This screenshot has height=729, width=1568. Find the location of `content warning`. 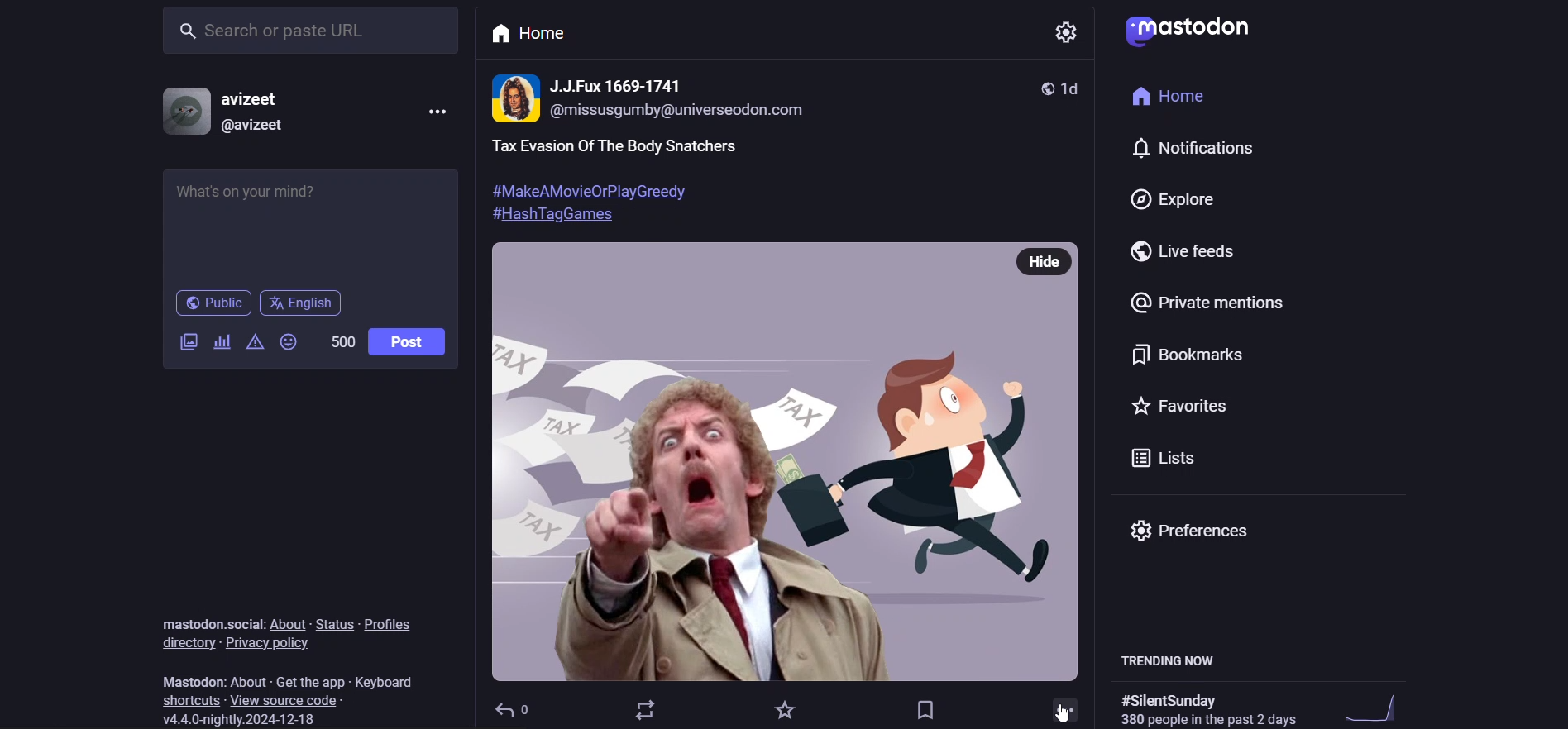

content warning is located at coordinates (254, 343).